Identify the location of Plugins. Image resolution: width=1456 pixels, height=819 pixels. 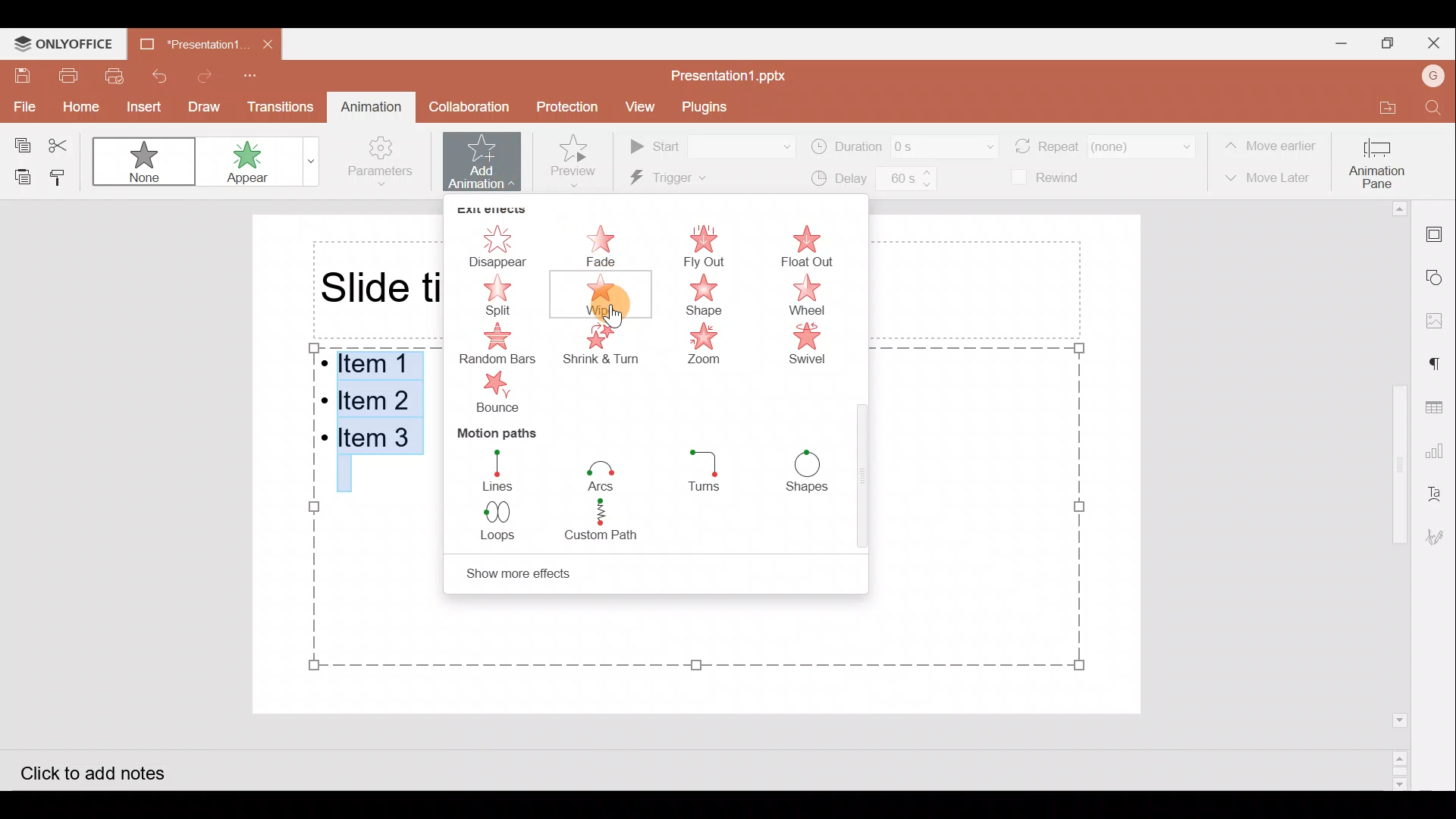
(708, 105).